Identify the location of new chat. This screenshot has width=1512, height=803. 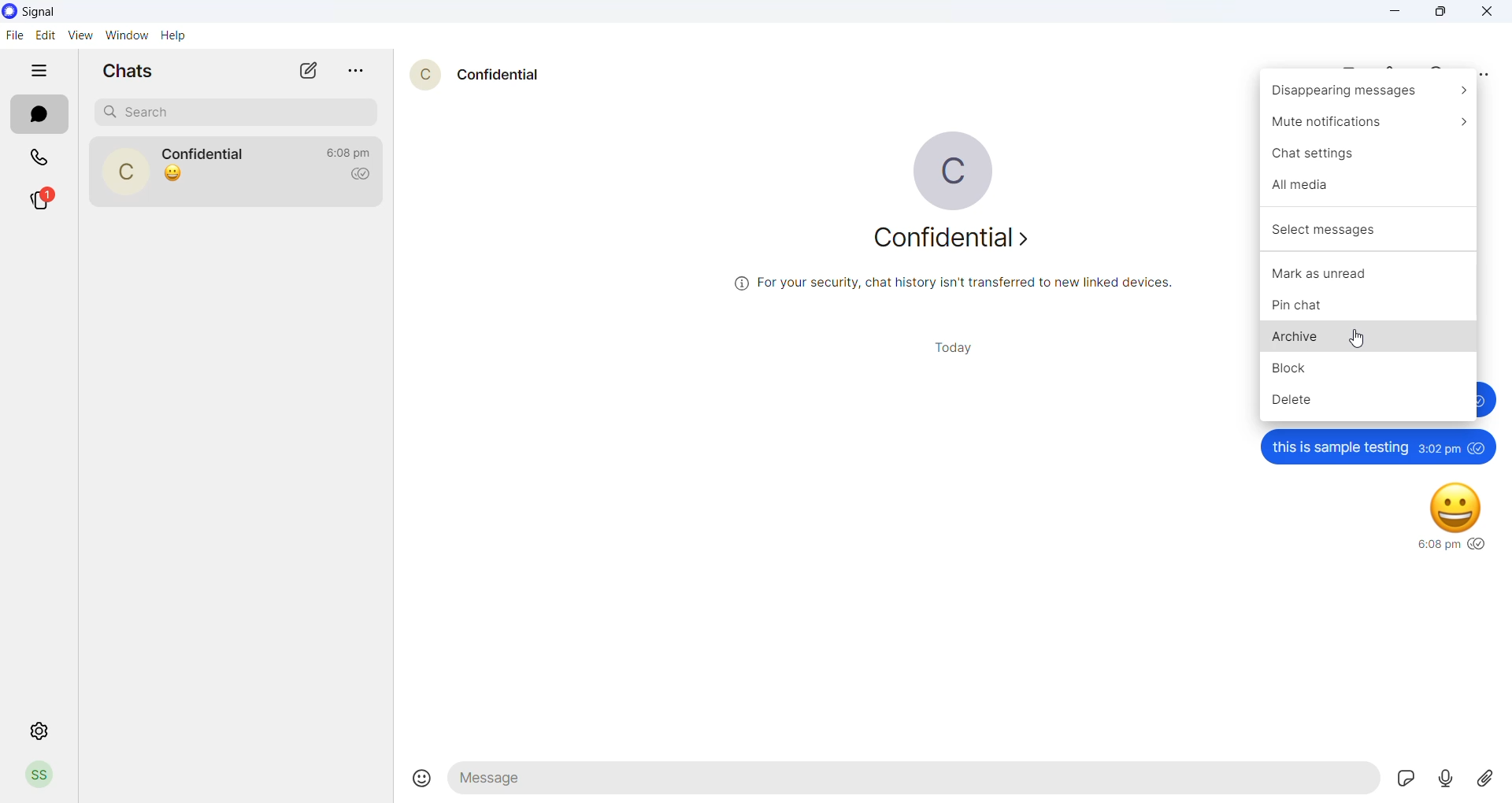
(311, 69).